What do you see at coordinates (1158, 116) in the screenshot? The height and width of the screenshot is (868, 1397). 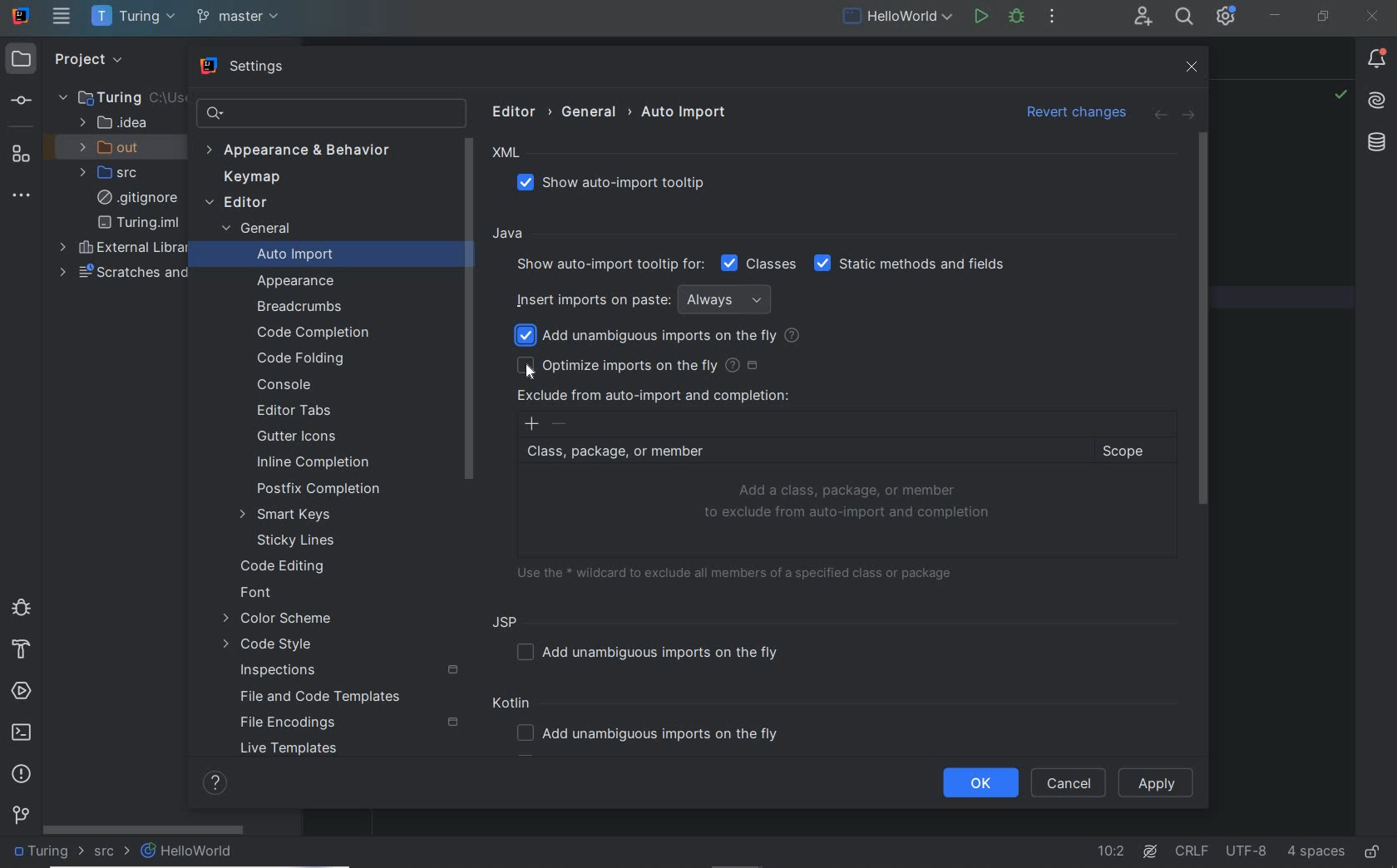 I see `back` at bounding box center [1158, 116].